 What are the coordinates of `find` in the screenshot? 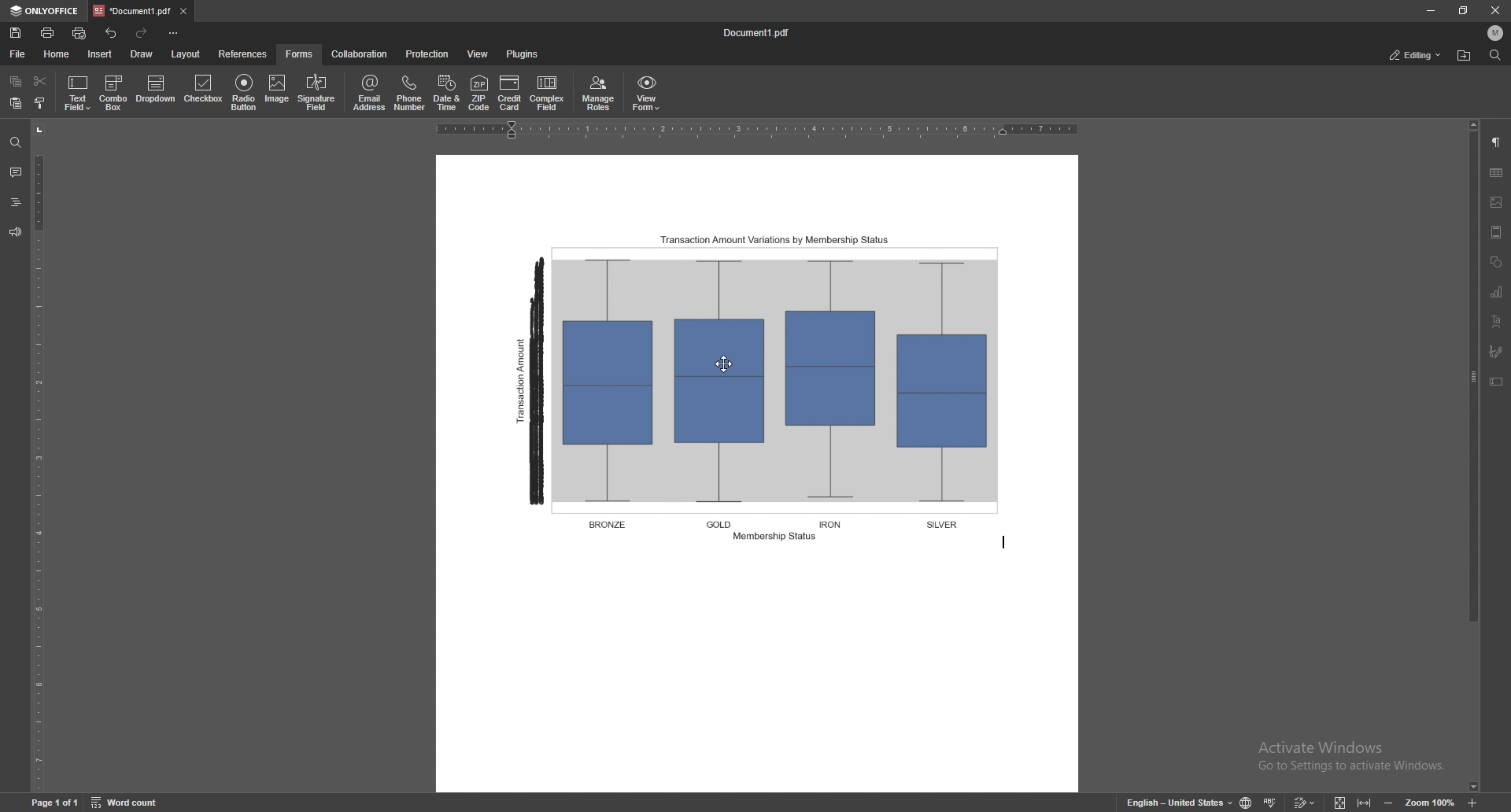 It's located at (16, 143).